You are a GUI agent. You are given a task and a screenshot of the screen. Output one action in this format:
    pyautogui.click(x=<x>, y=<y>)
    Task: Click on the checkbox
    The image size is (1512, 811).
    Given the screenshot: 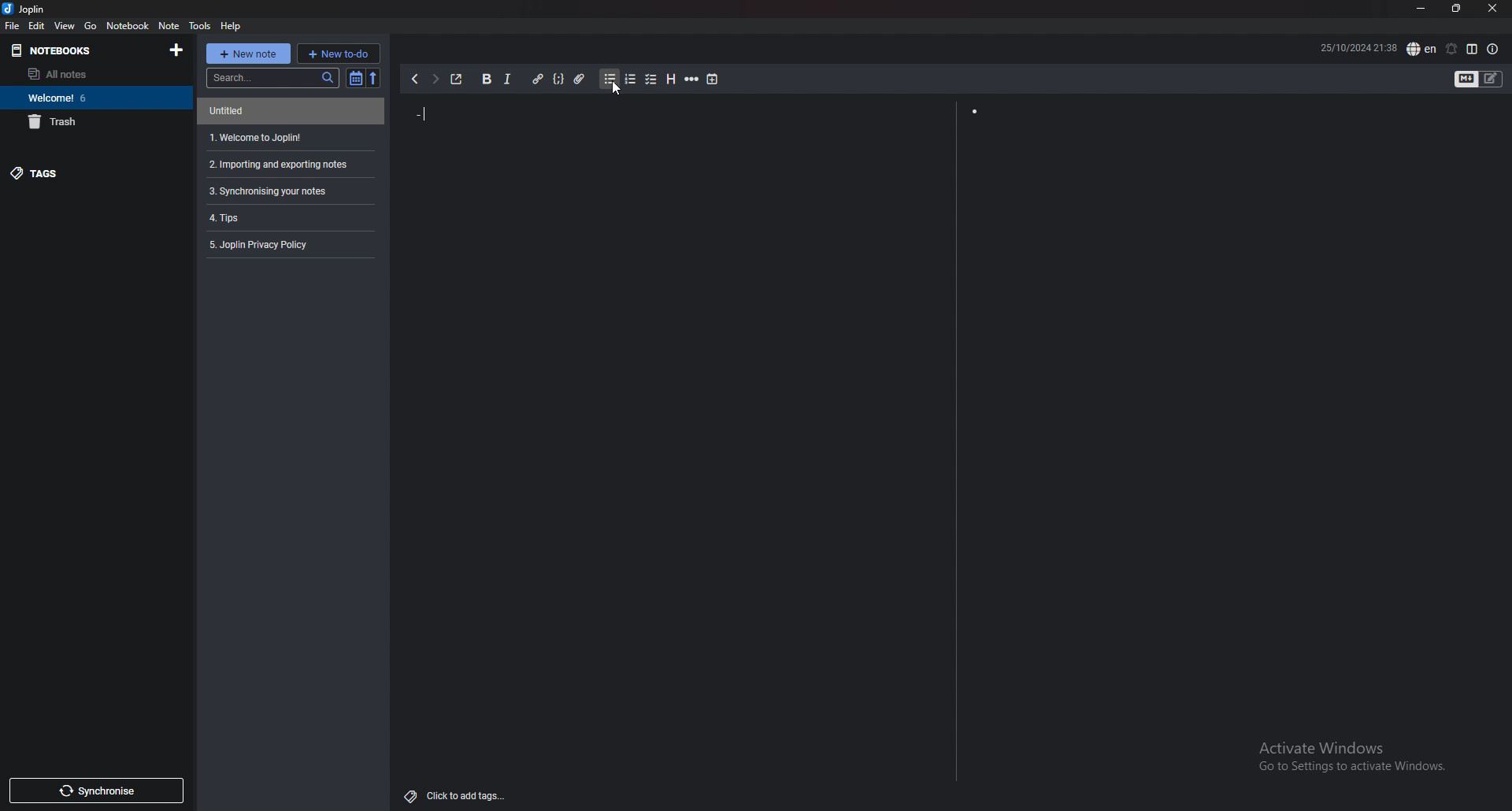 What is the action you would take?
    pyautogui.click(x=647, y=80)
    